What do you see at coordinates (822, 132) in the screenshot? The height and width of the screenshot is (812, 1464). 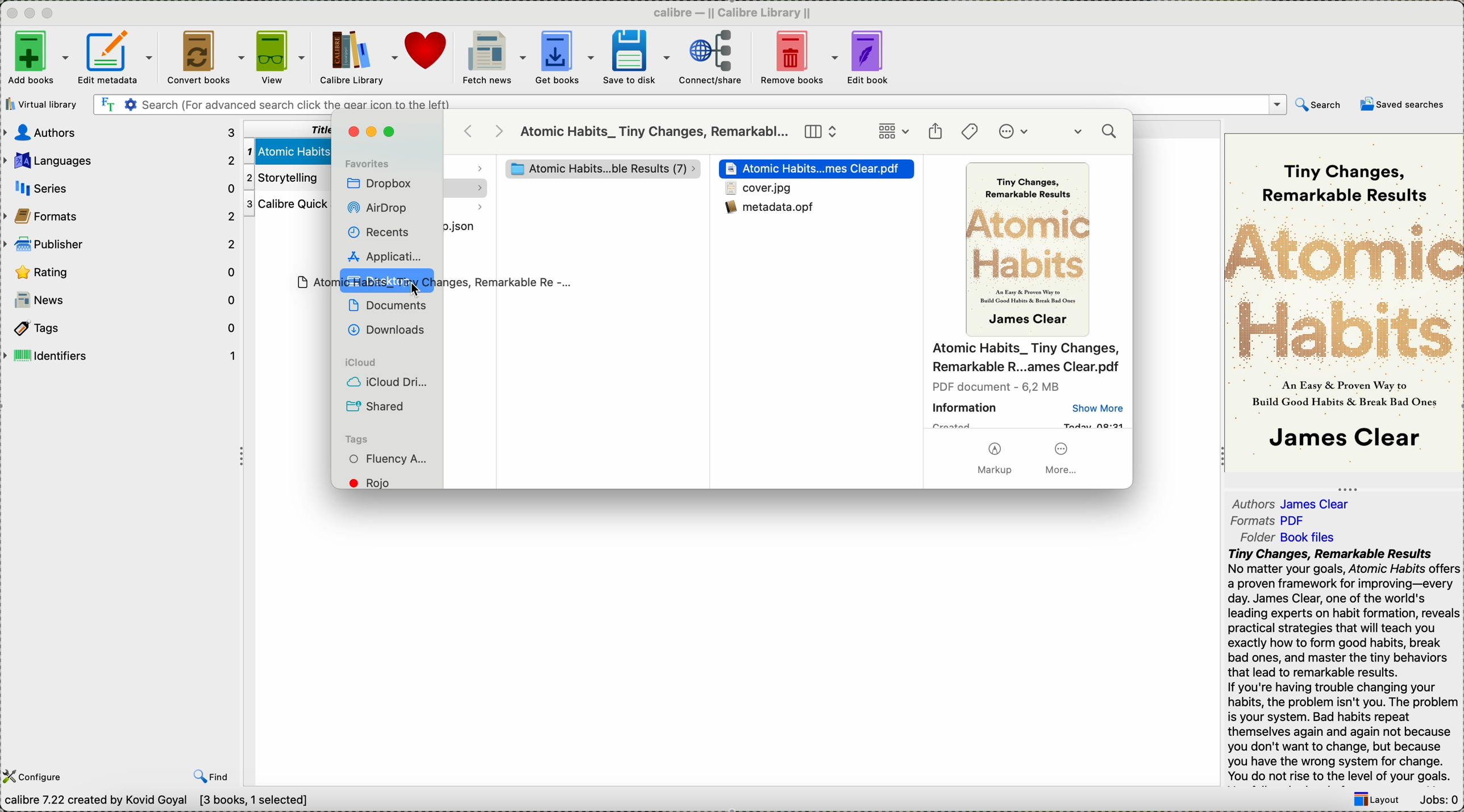 I see `column list` at bounding box center [822, 132].